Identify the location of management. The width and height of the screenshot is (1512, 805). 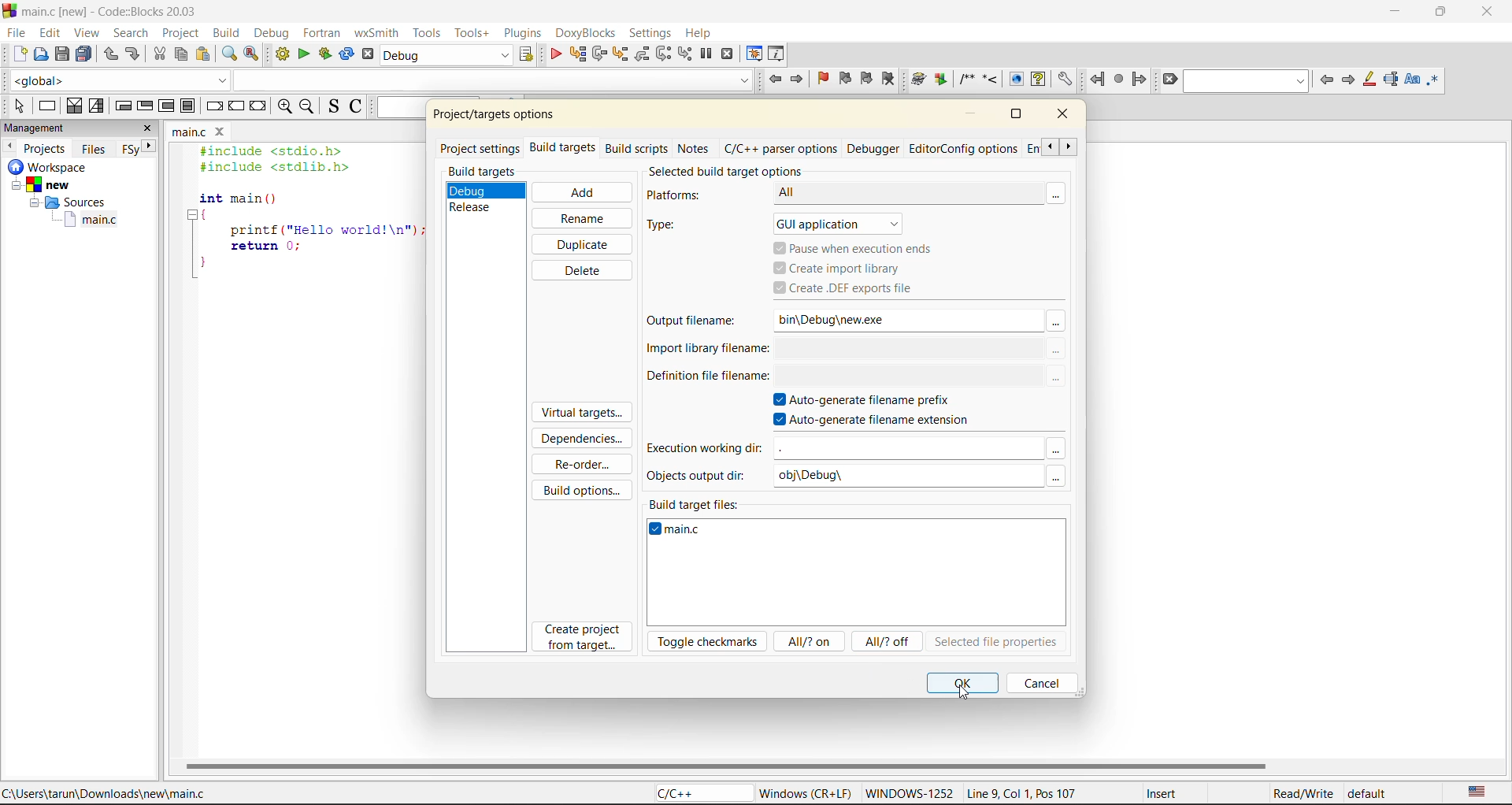
(52, 127).